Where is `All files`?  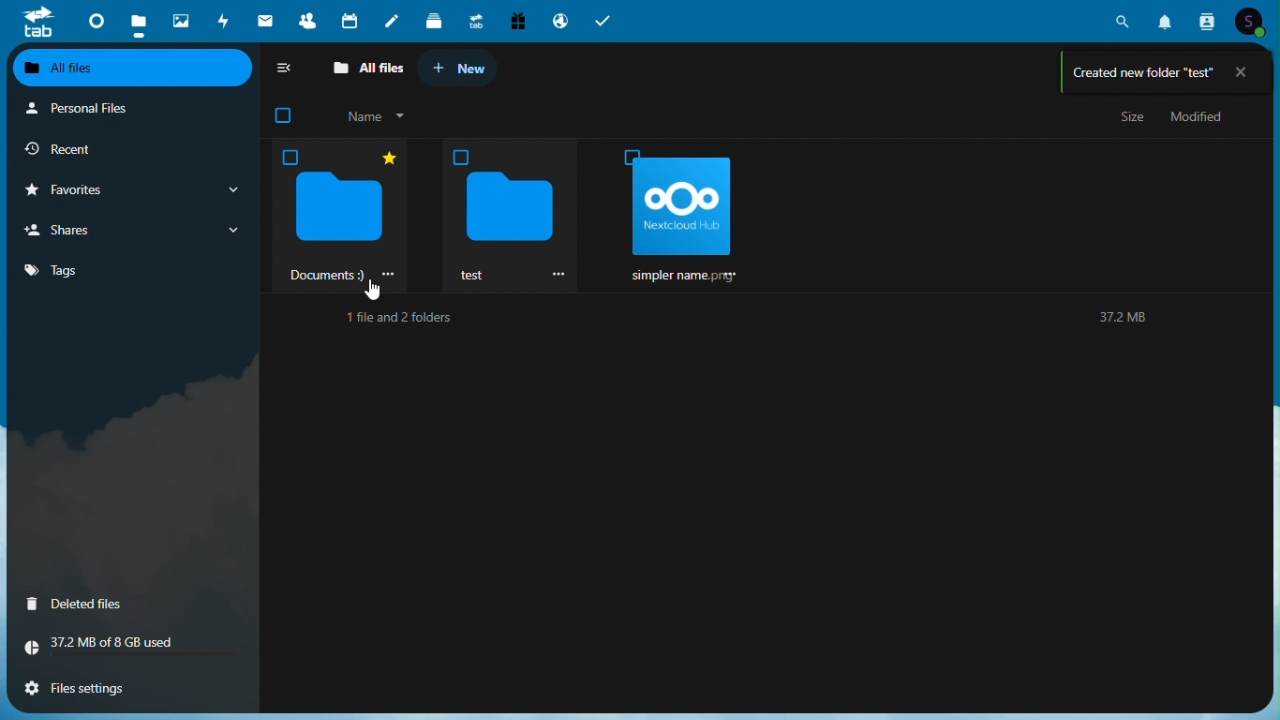 All files is located at coordinates (364, 66).